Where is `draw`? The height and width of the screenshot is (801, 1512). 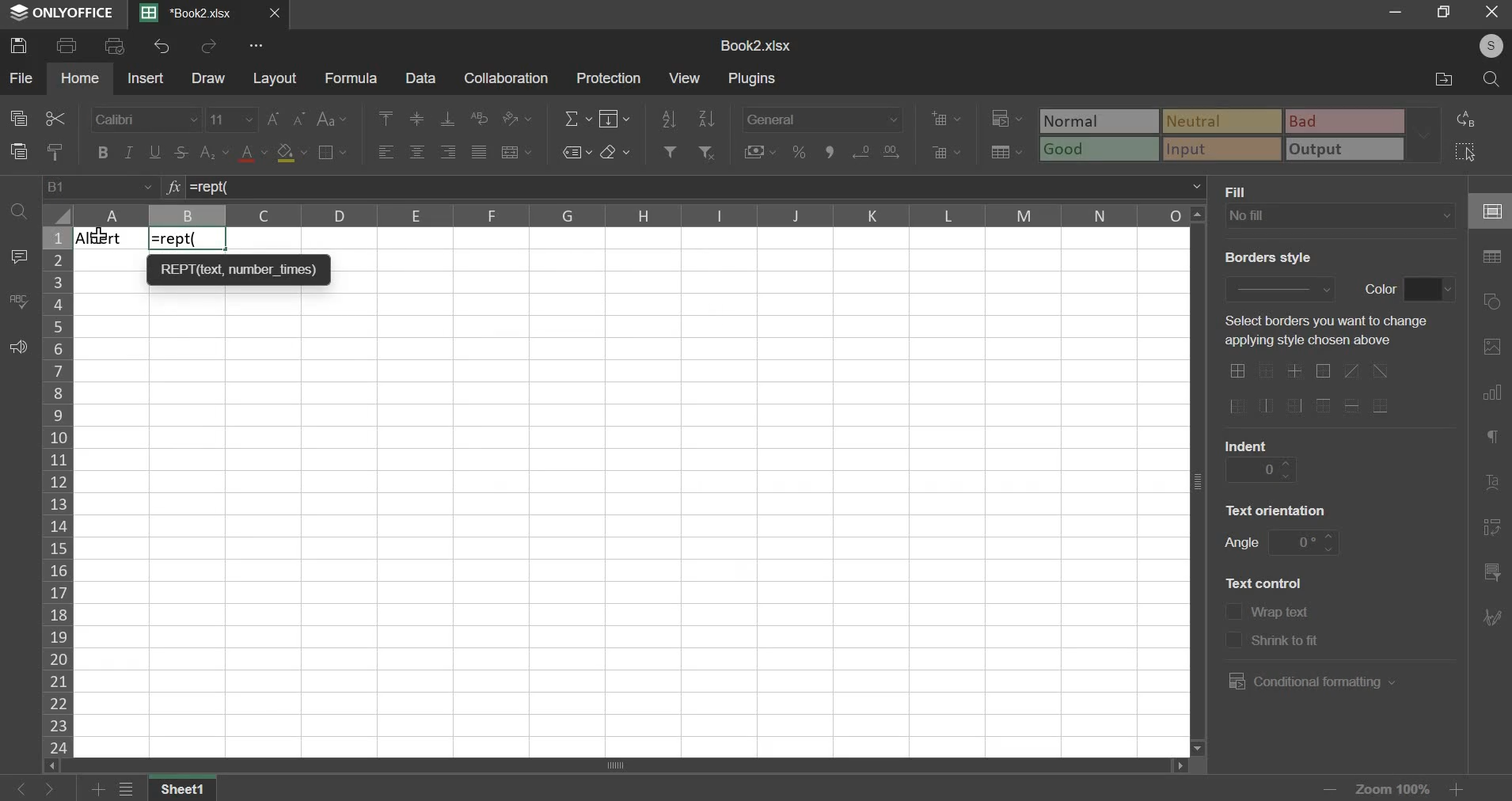 draw is located at coordinates (209, 78).